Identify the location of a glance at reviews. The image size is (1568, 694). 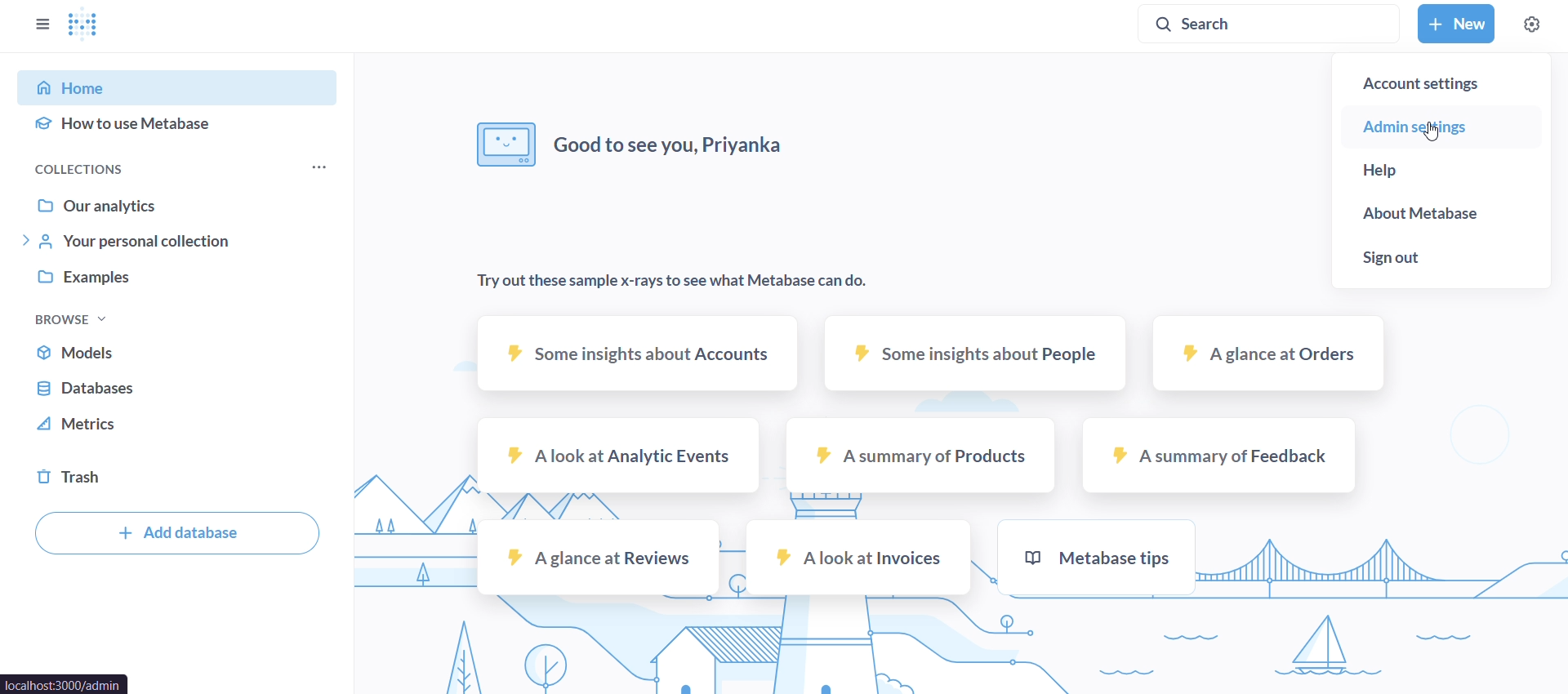
(599, 556).